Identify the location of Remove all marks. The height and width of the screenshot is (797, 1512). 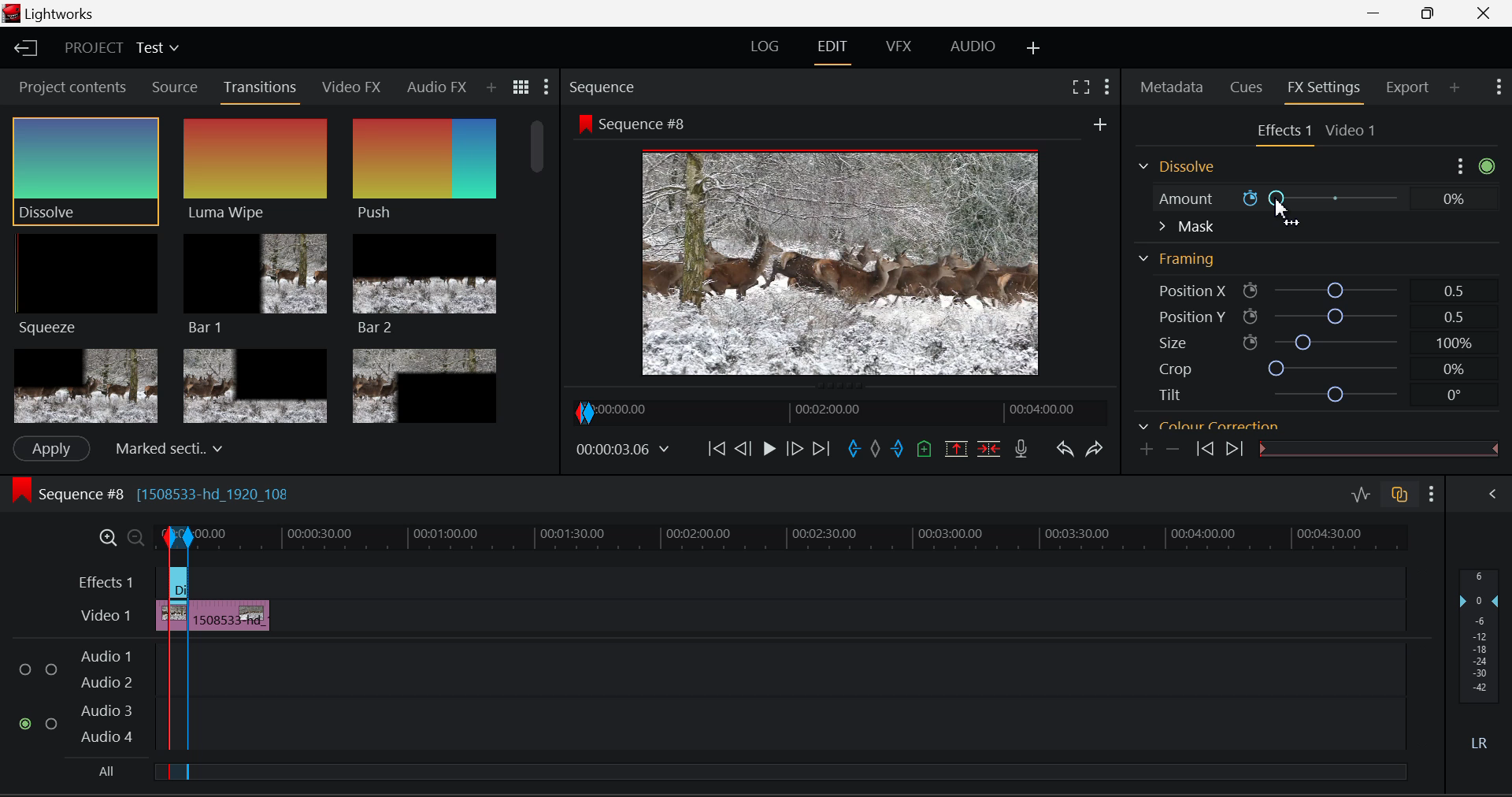
(875, 451).